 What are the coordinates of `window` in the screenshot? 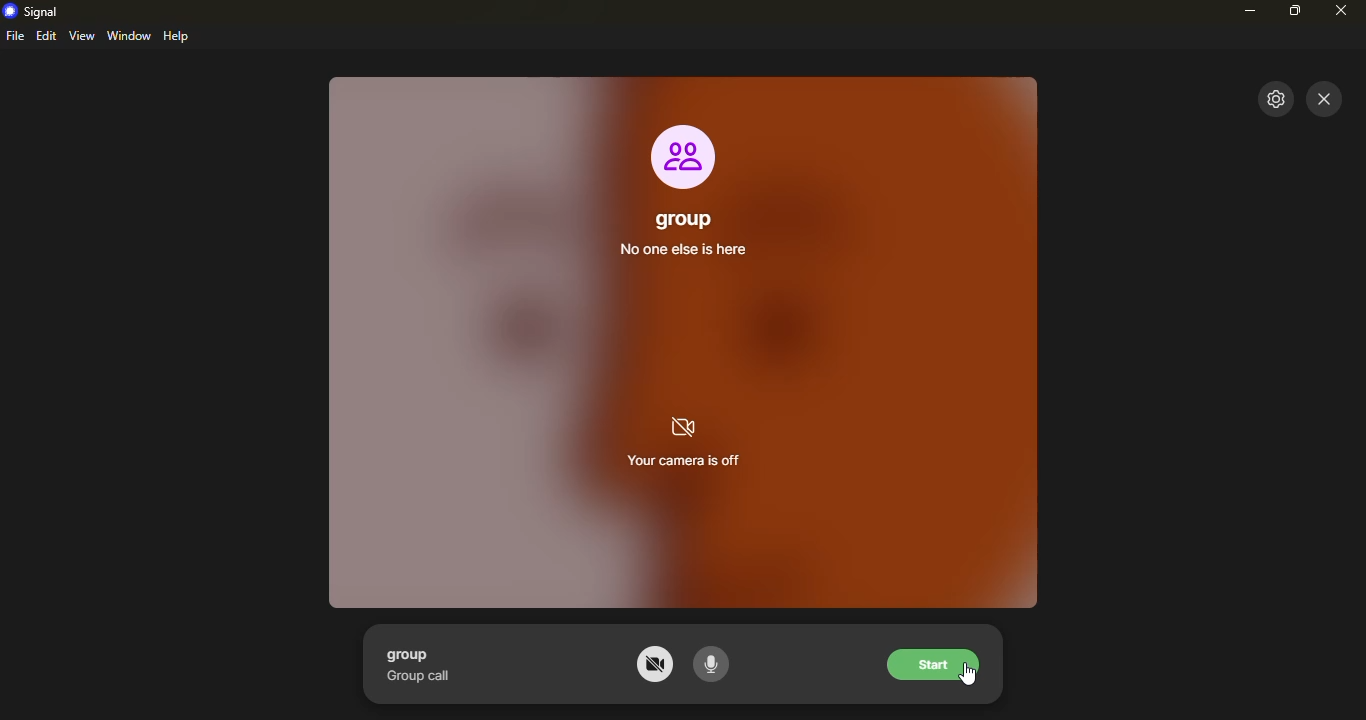 It's located at (130, 36).